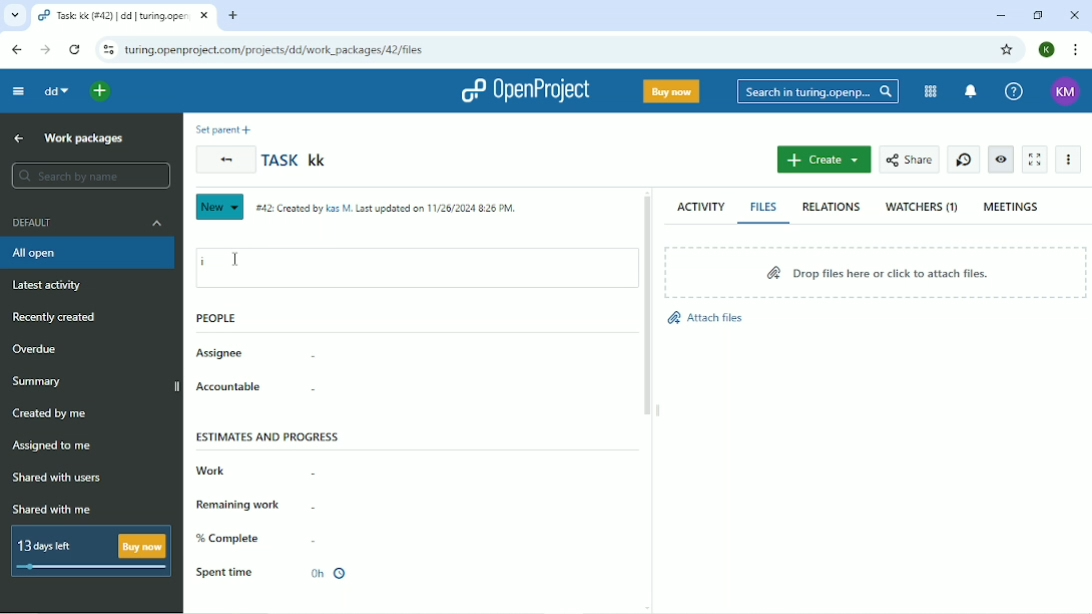  Describe the element at coordinates (1014, 90) in the screenshot. I see `Help` at that location.